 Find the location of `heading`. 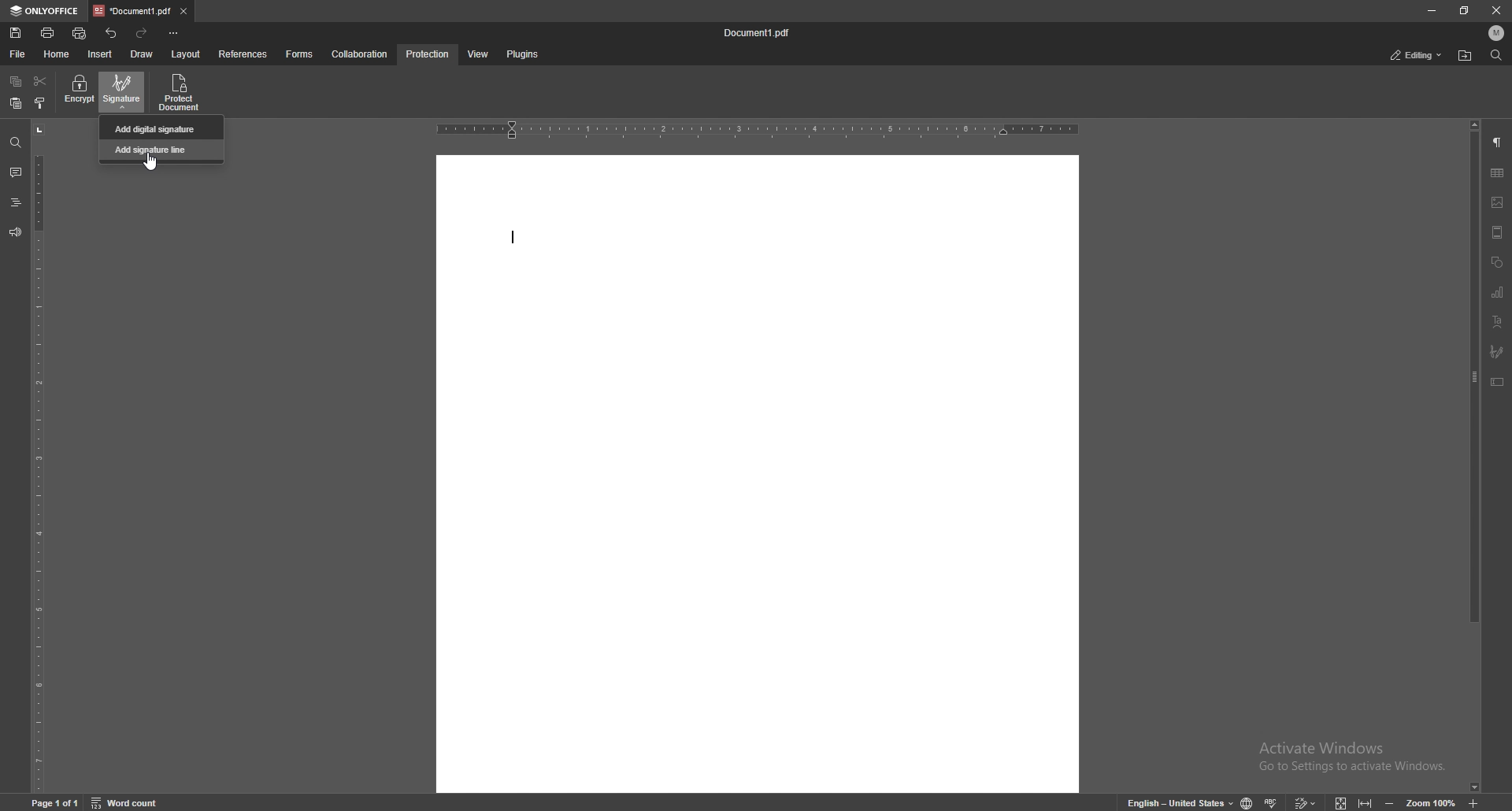

heading is located at coordinates (15, 204).